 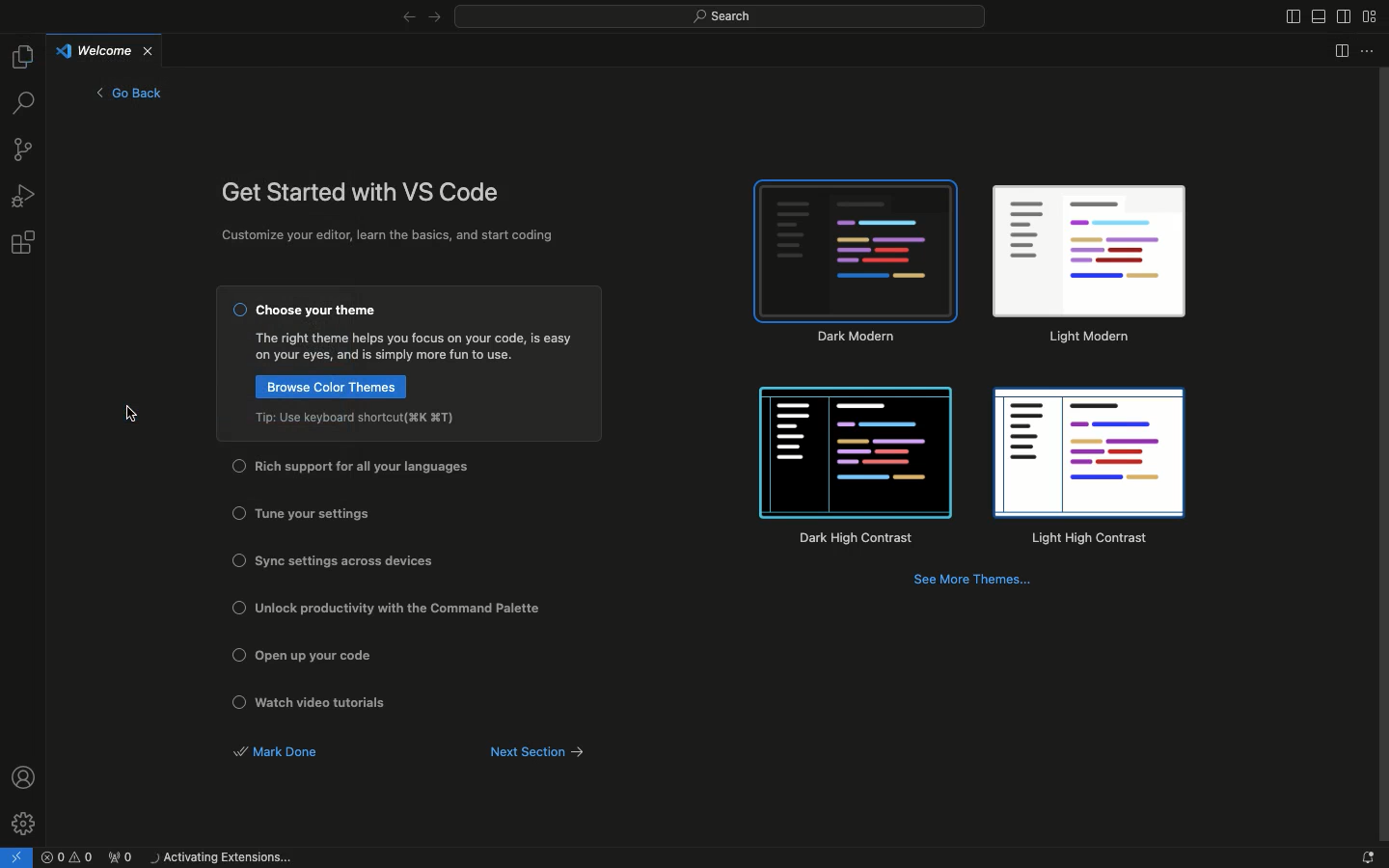 What do you see at coordinates (1336, 51) in the screenshot?
I see `split editor` at bounding box center [1336, 51].